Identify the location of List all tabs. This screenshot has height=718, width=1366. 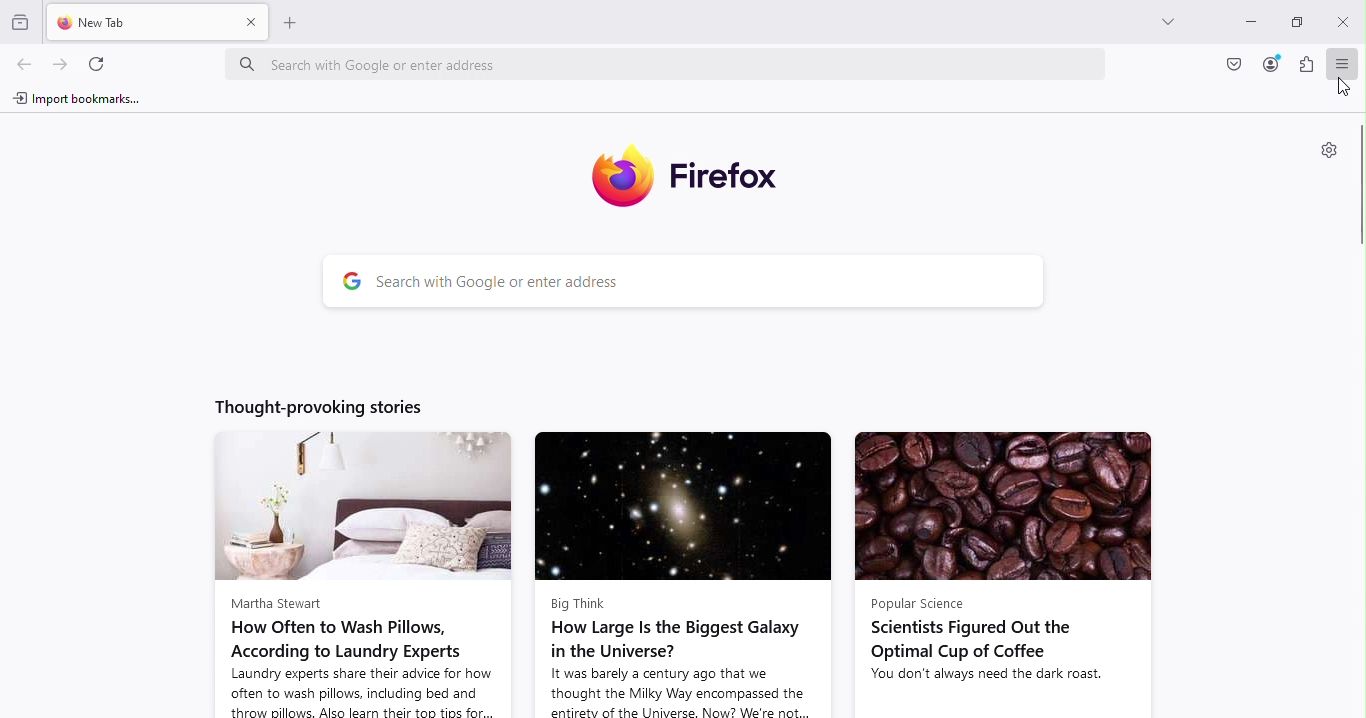
(1170, 24).